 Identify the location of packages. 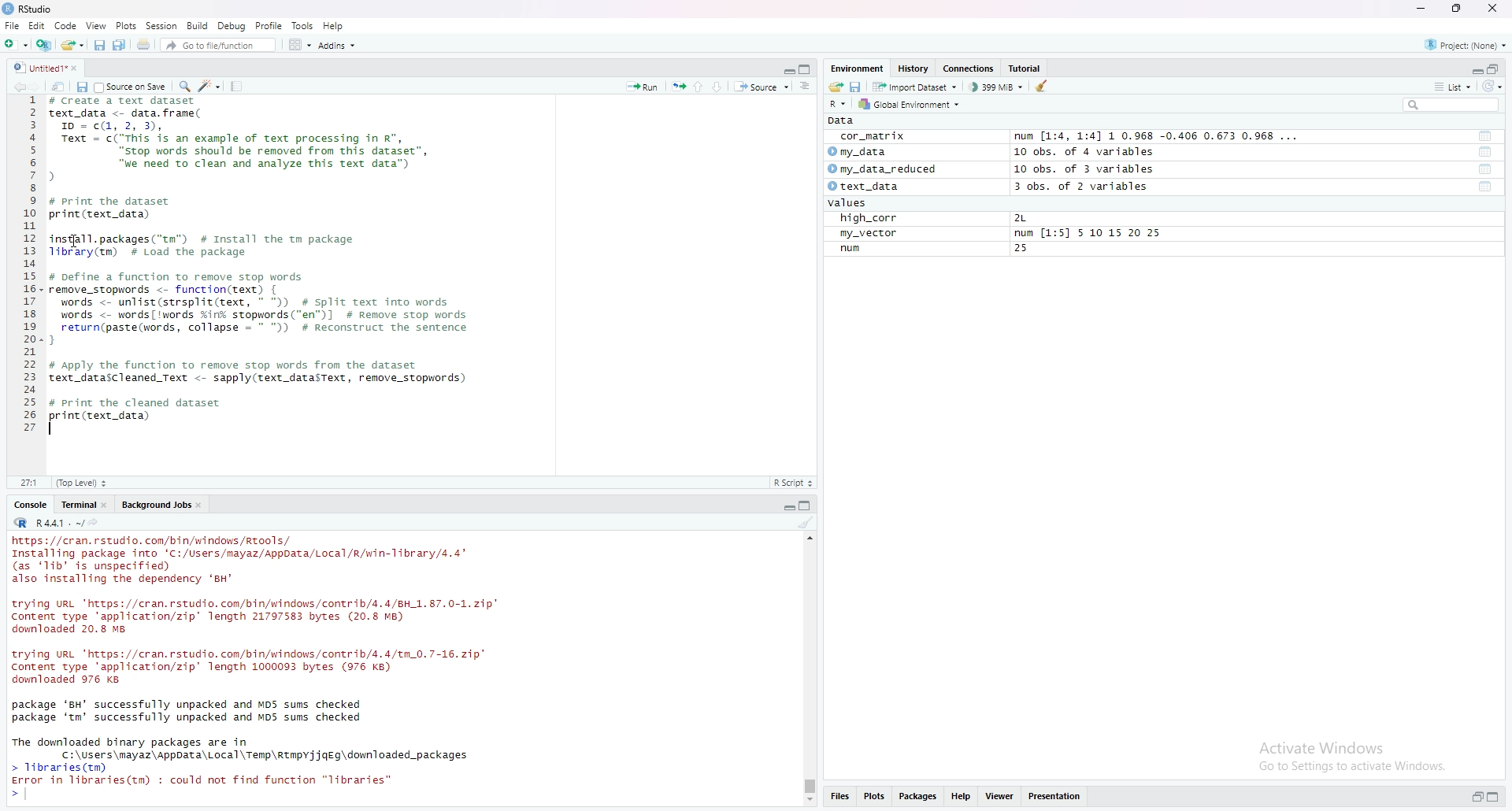
(919, 796).